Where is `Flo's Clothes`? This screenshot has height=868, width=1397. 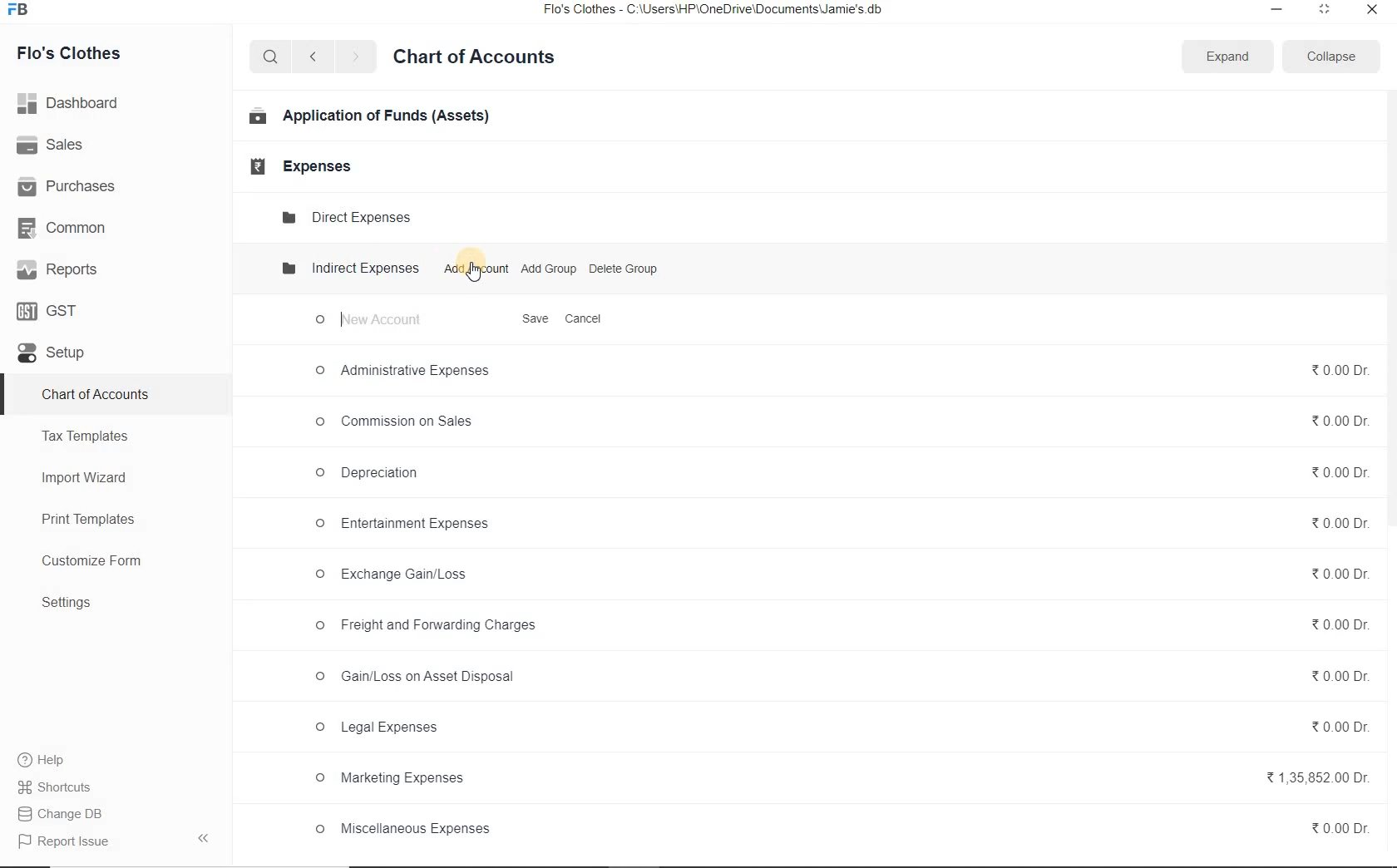
Flo's Clothes is located at coordinates (71, 53).